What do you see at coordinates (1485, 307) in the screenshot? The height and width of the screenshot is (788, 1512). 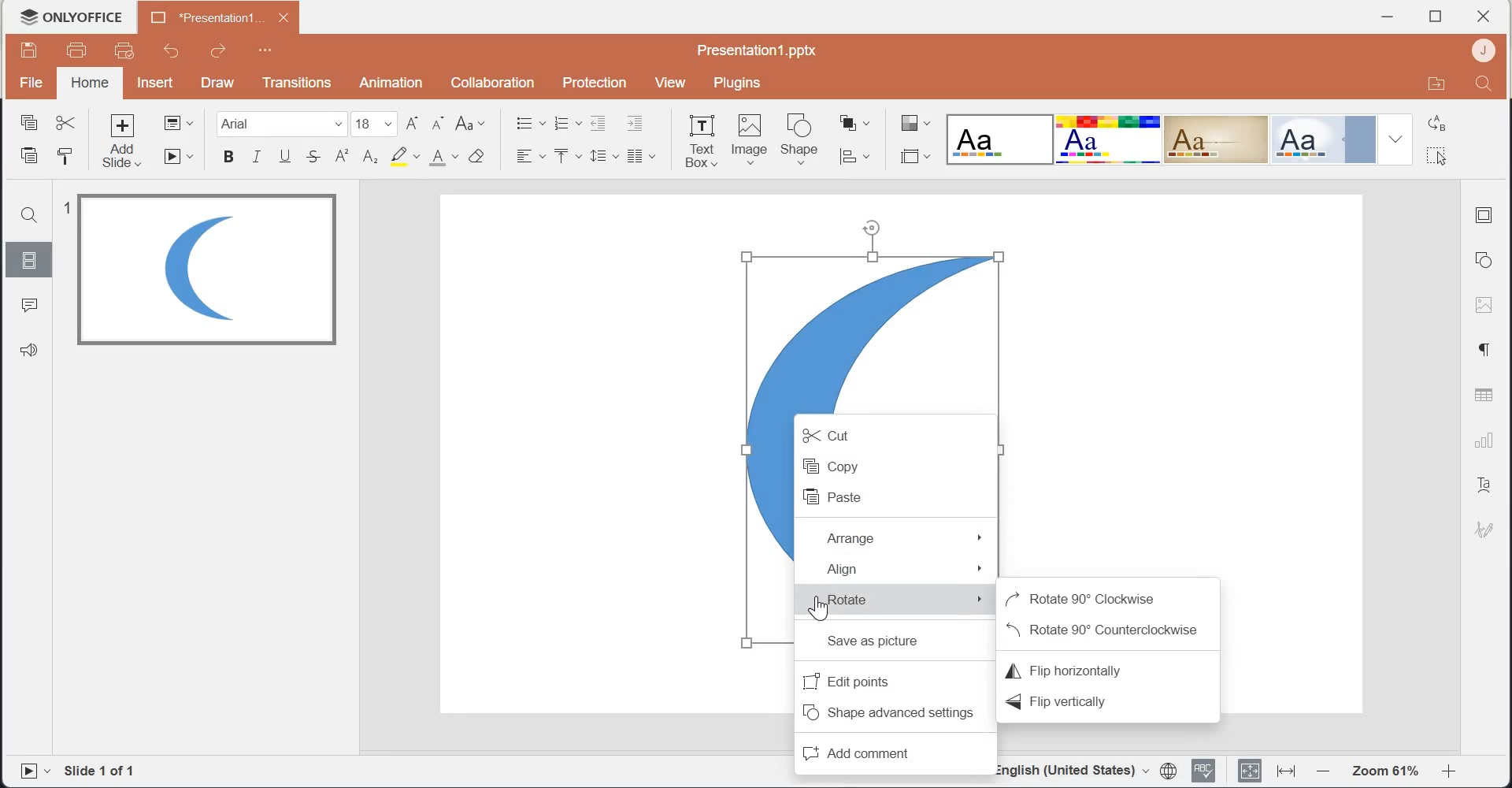 I see `Image` at bounding box center [1485, 307].